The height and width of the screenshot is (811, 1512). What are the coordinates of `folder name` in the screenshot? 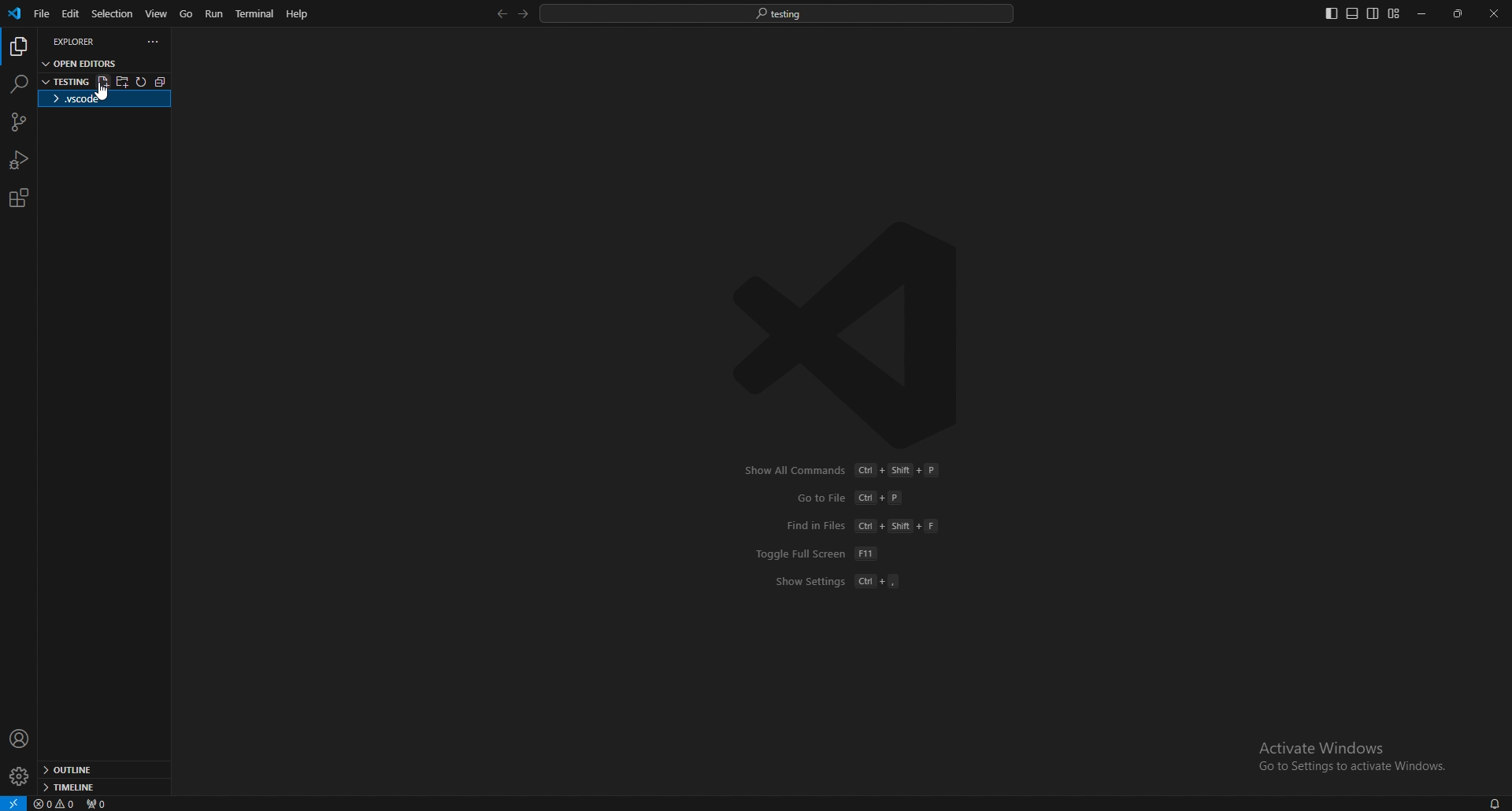 It's located at (65, 80).